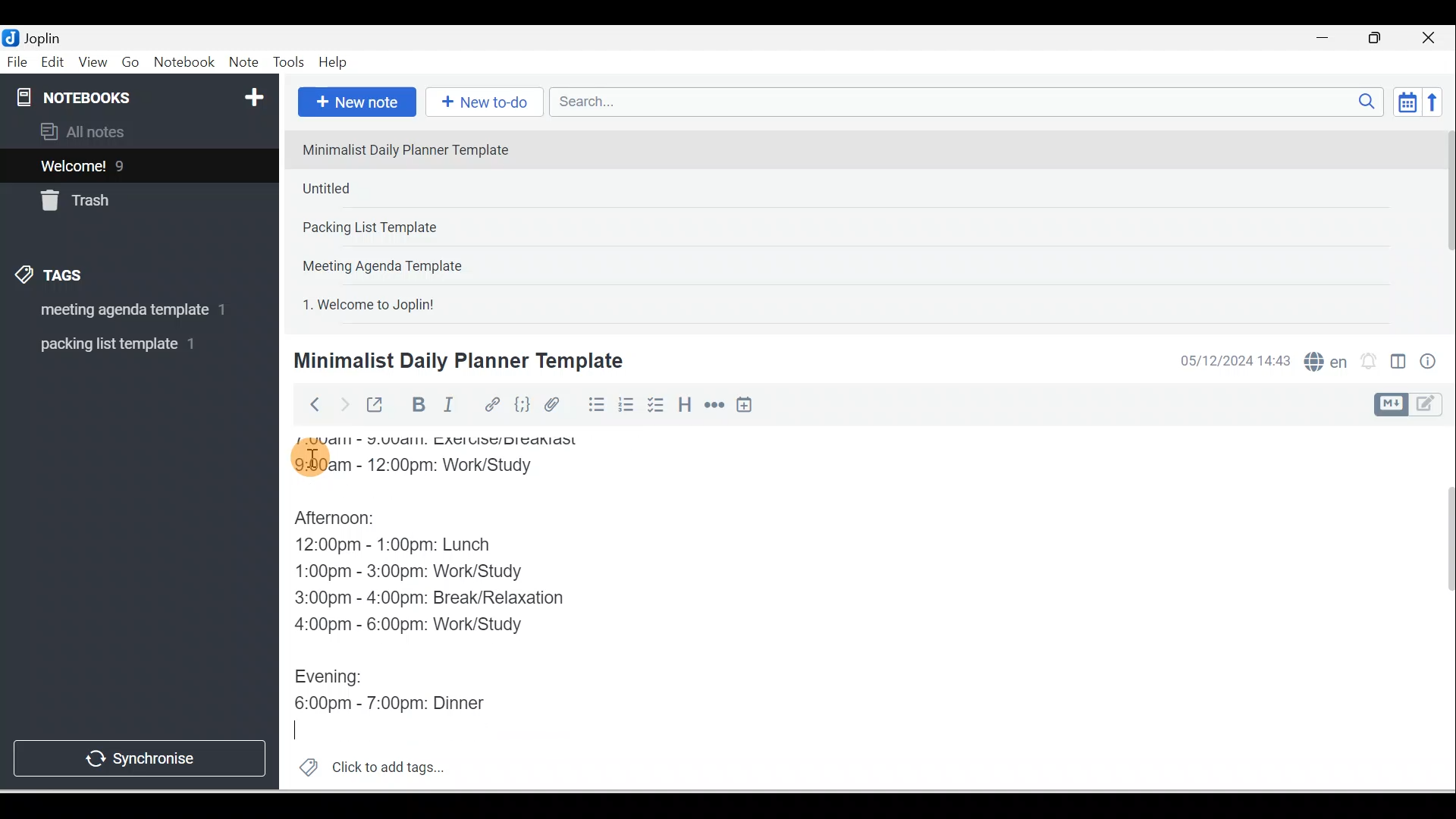 The image size is (1456, 819). I want to click on Hyperlink, so click(491, 406).